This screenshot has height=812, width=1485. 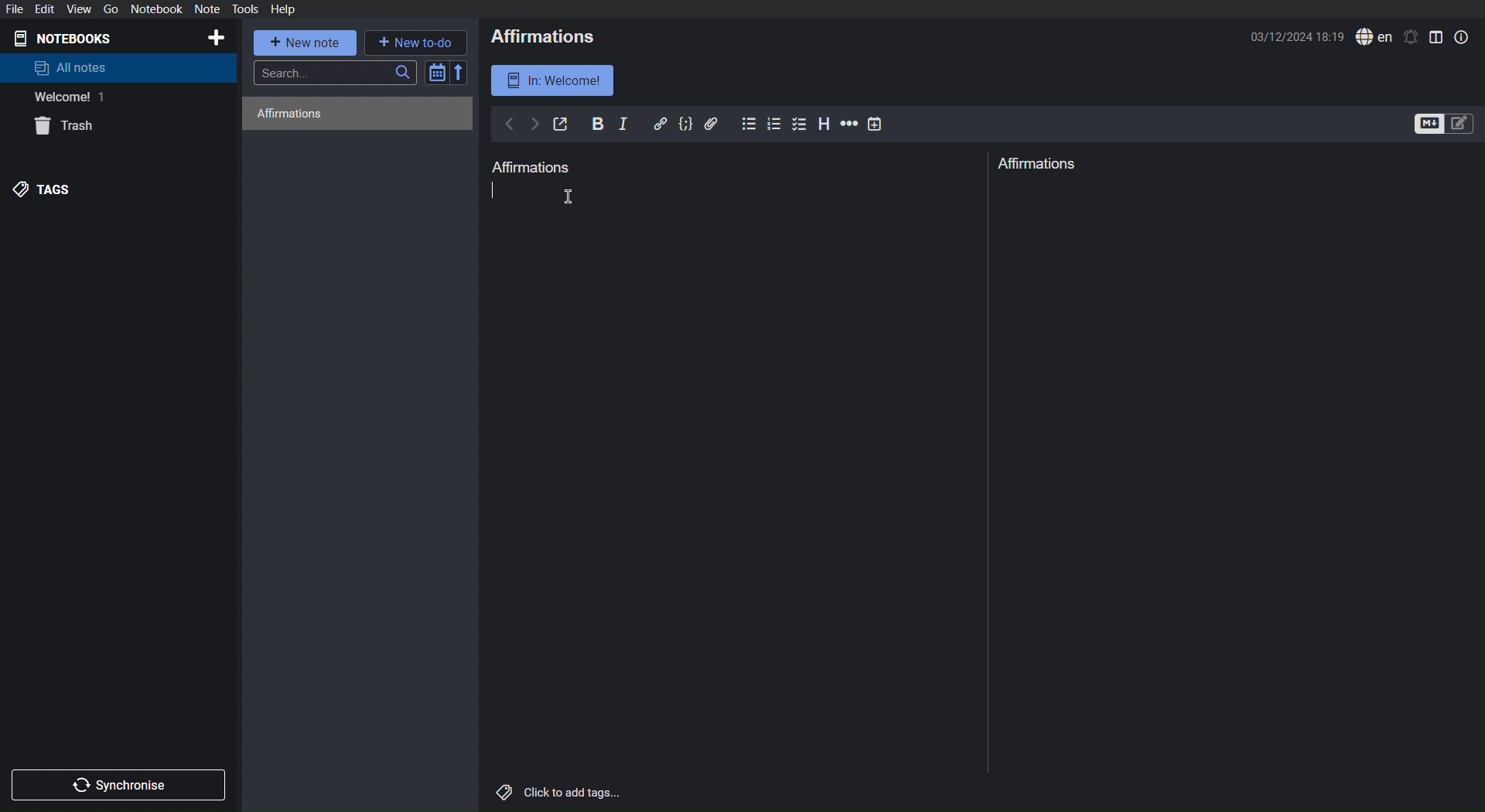 What do you see at coordinates (534, 125) in the screenshot?
I see `Redo` at bounding box center [534, 125].